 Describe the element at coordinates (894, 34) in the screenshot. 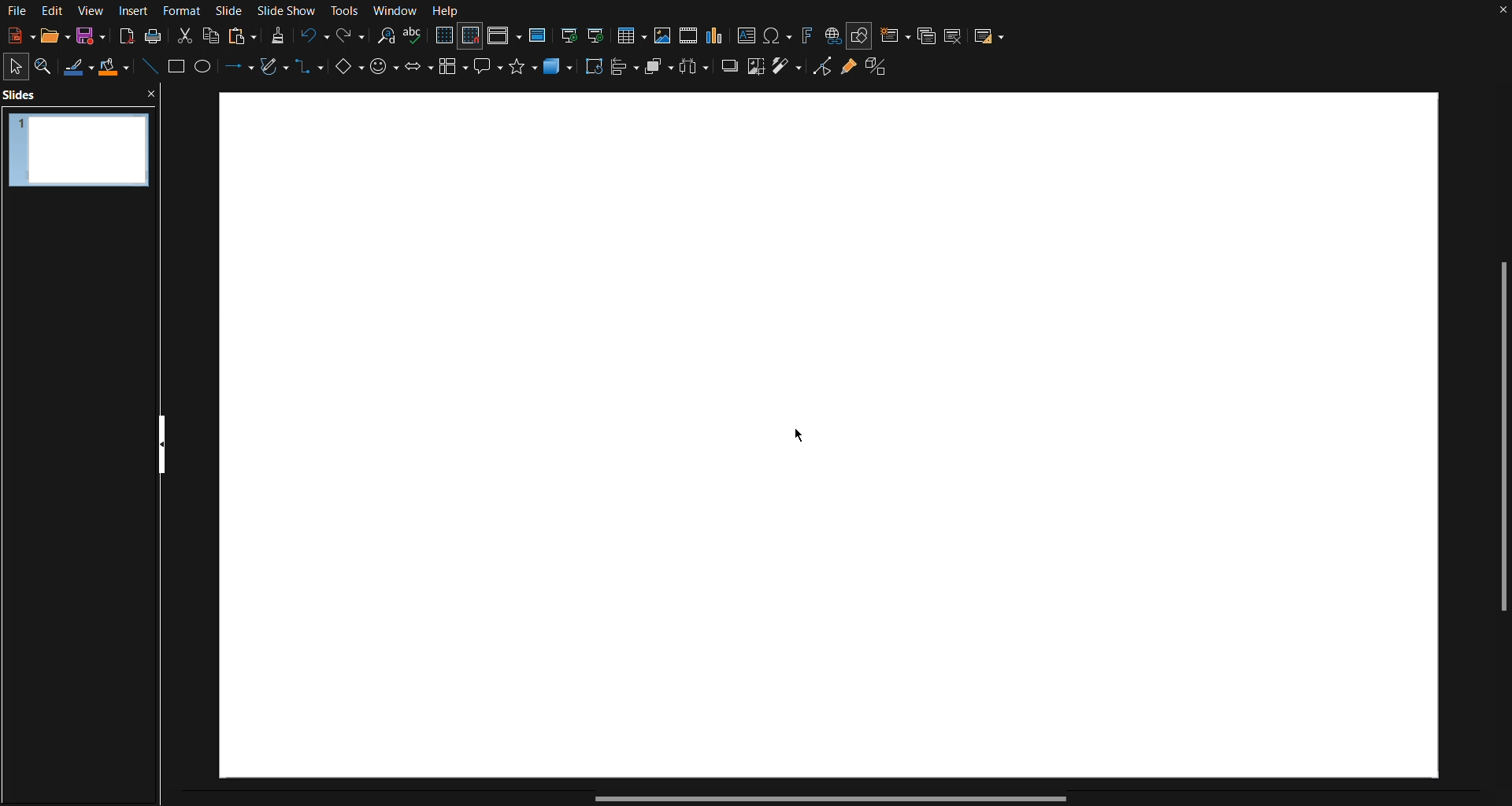

I see `New Slide` at that location.